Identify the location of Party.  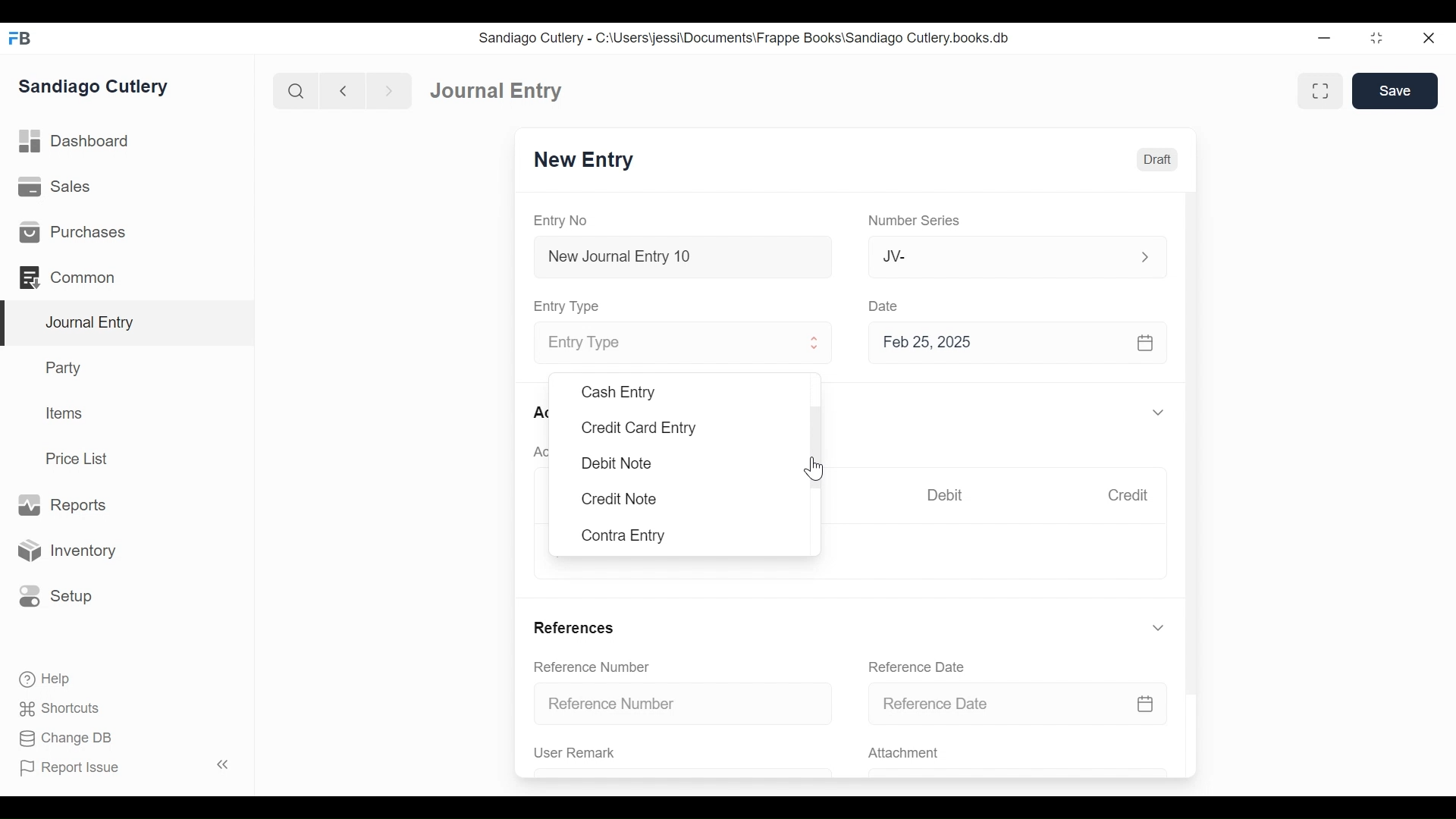
(61, 368).